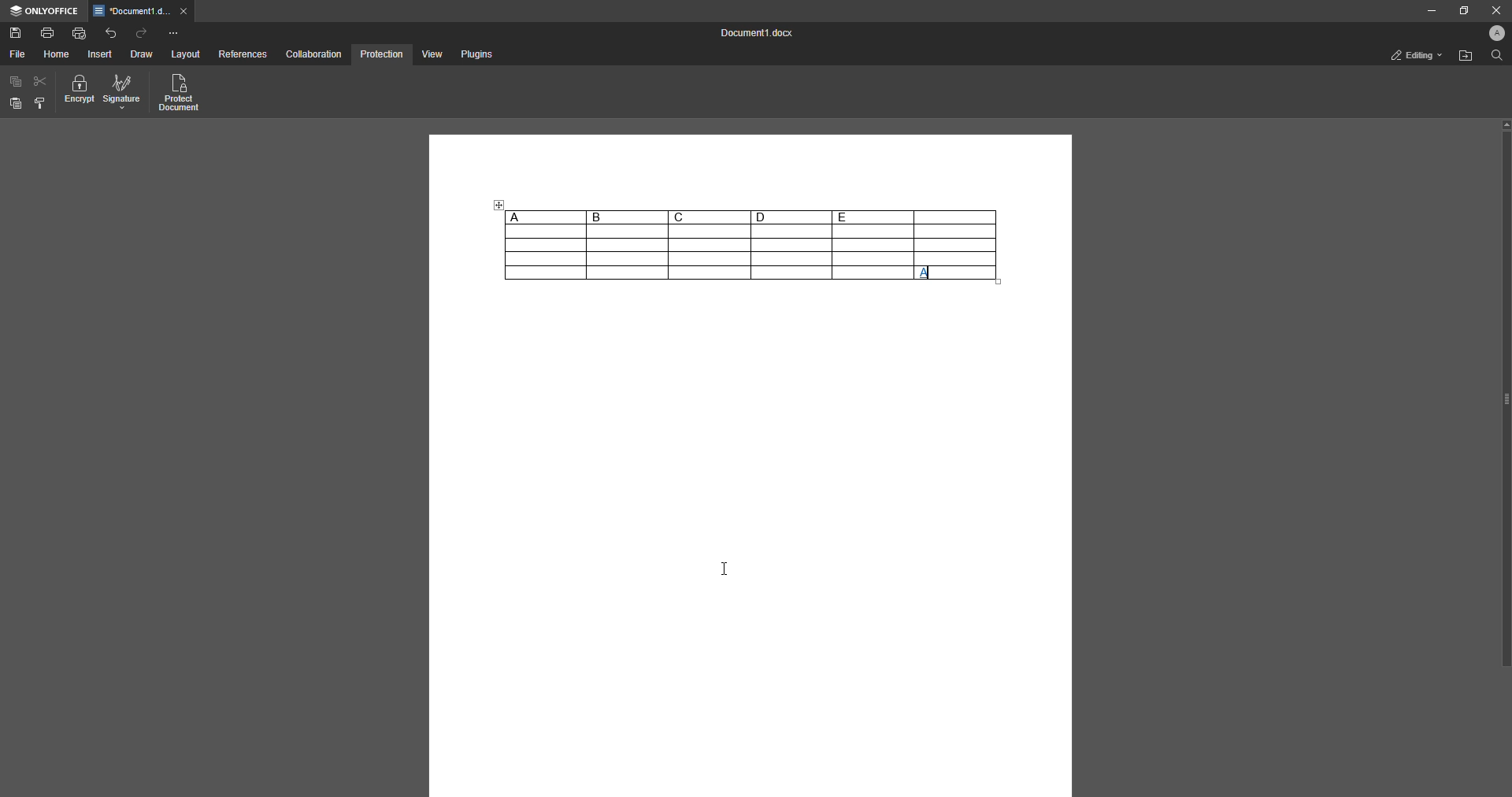  What do you see at coordinates (703, 253) in the screenshot?
I see `Cells` at bounding box center [703, 253].